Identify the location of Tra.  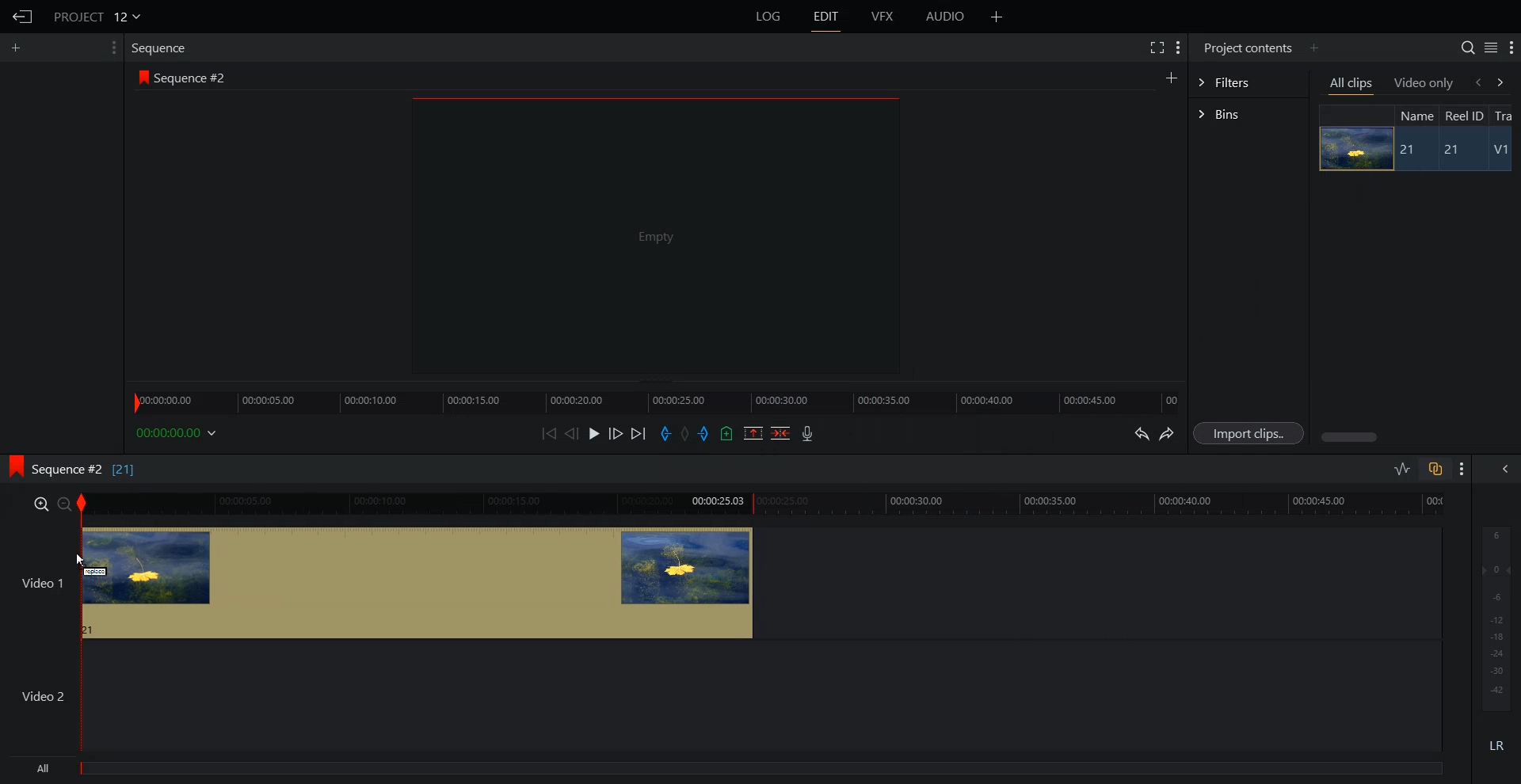
(1505, 115).